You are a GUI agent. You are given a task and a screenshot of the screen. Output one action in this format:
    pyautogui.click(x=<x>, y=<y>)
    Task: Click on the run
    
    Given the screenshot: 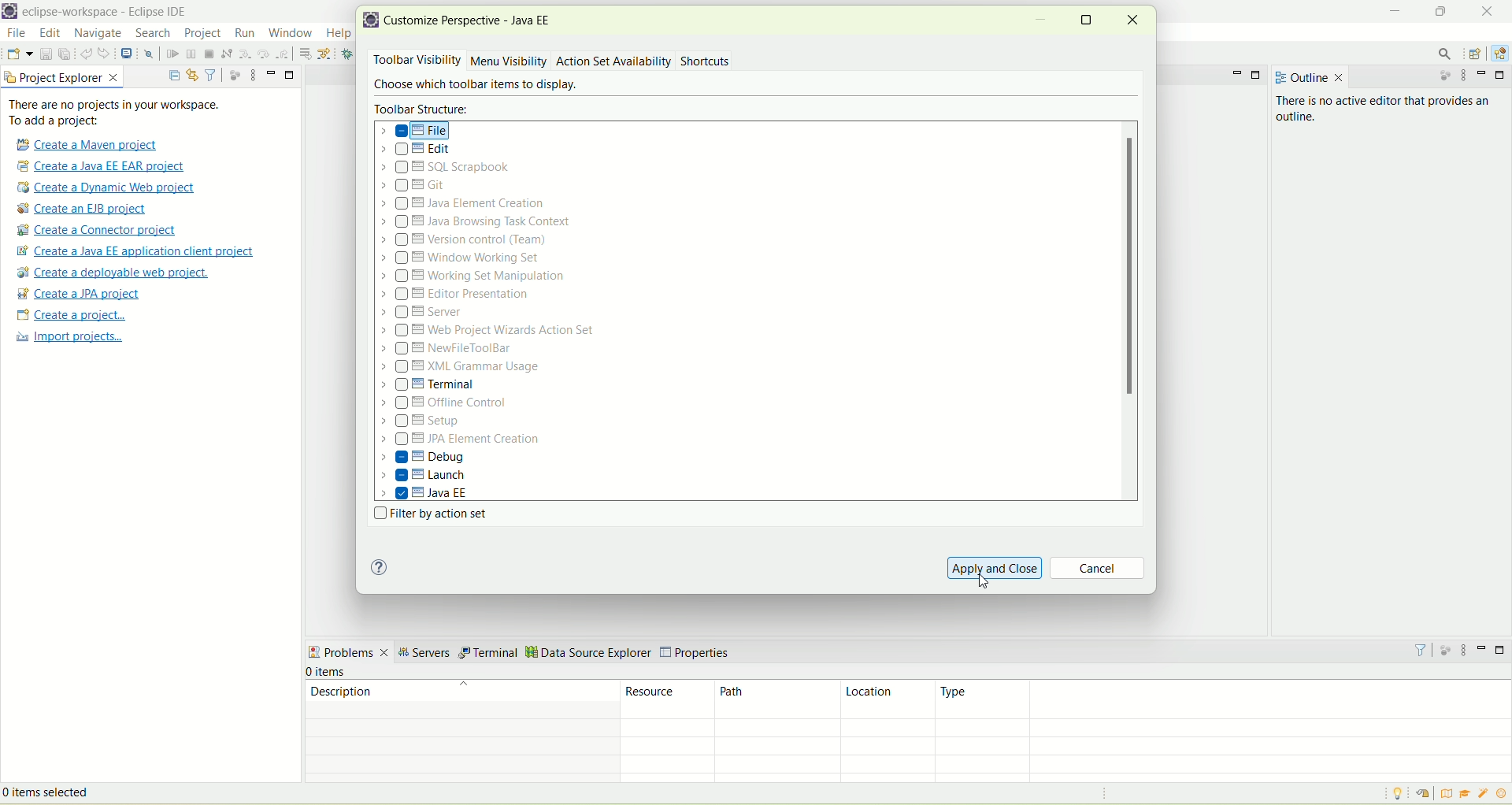 What is the action you would take?
    pyautogui.click(x=246, y=32)
    